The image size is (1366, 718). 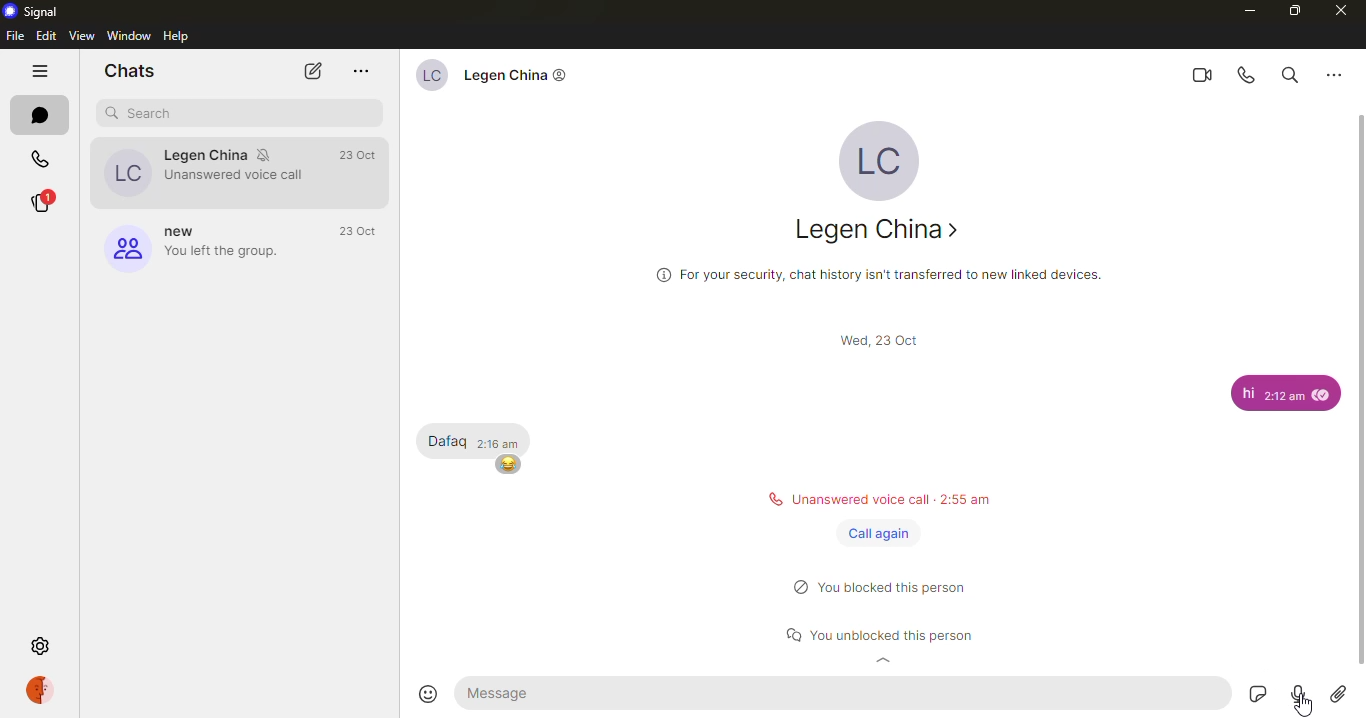 I want to click on status message, so click(x=880, y=632).